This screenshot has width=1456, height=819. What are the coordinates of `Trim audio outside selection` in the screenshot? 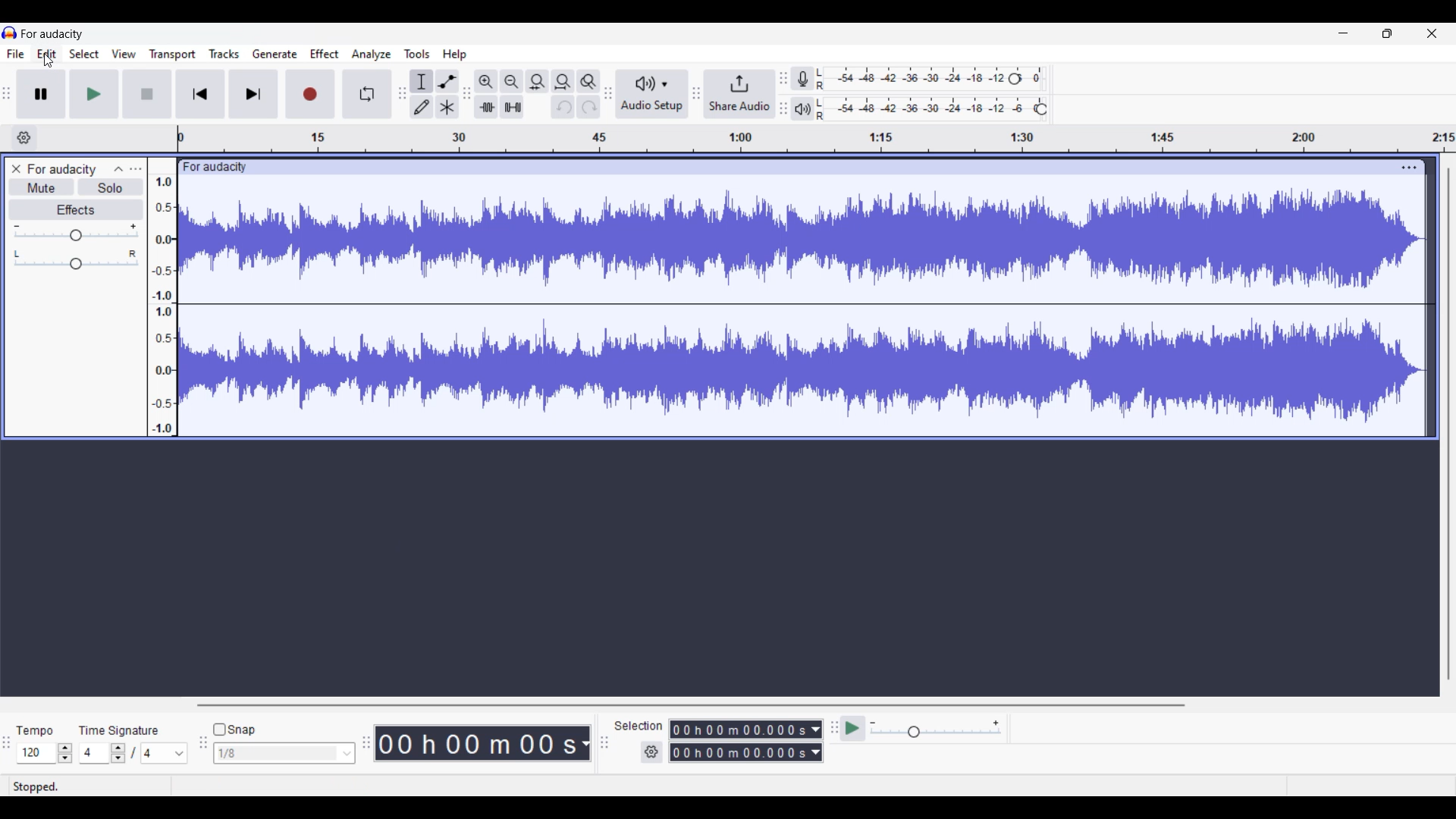 It's located at (486, 107).